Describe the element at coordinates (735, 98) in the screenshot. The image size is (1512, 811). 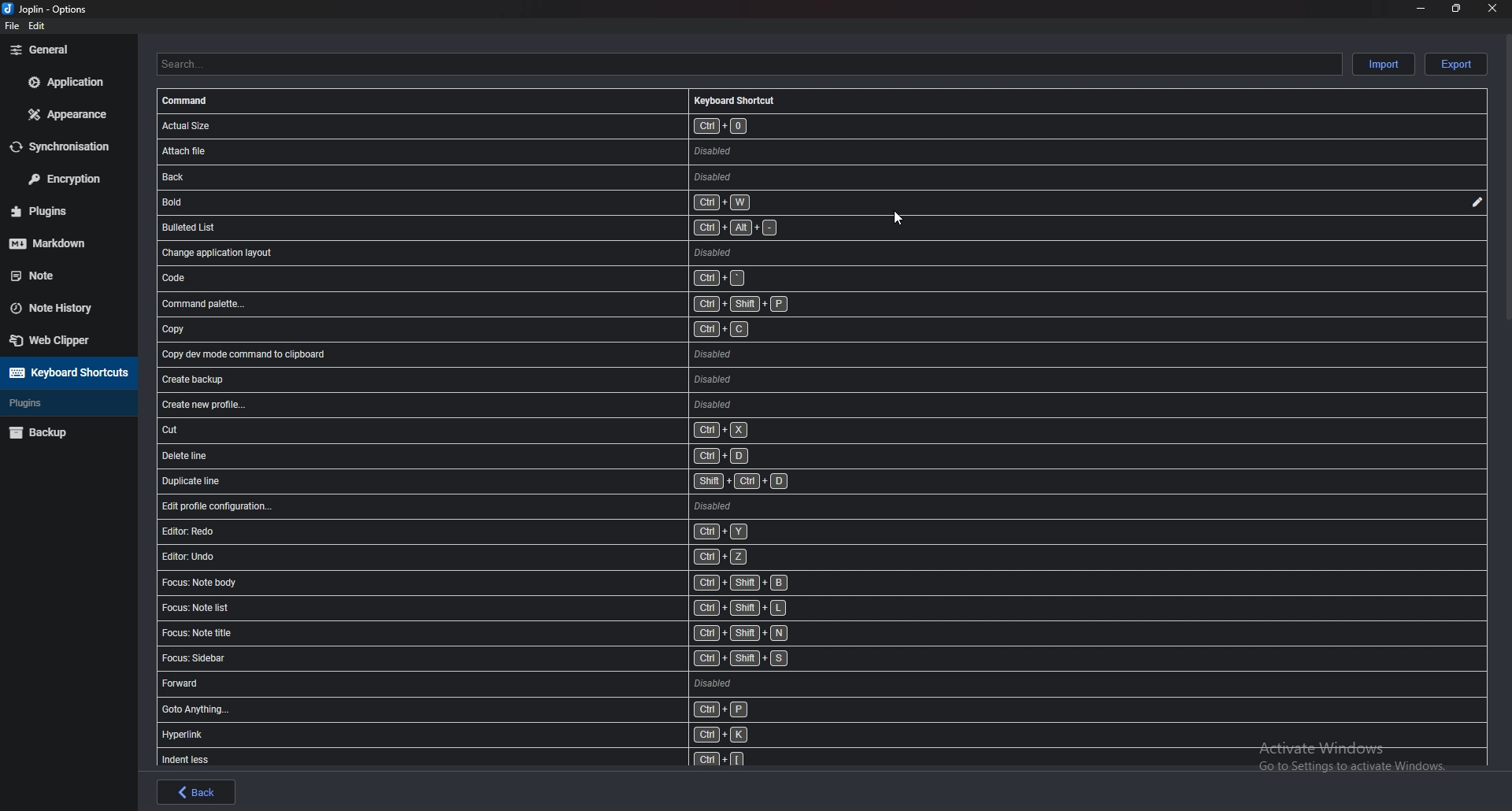
I see `Keyboard shortcuts` at that location.